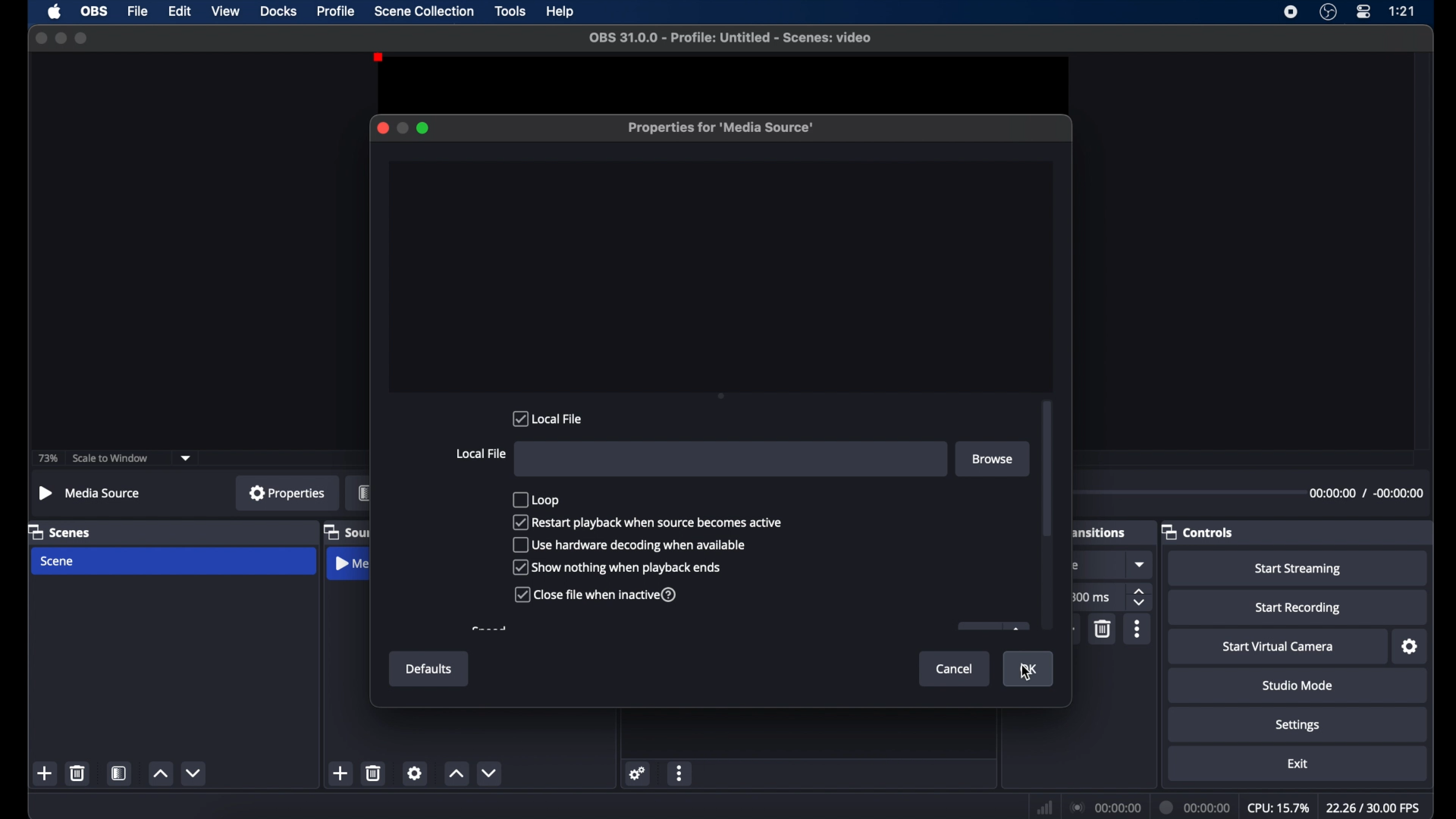 Image resolution: width=1456 pixels, height=819 pixels. Describe the element at coordinates (278, 11) in the screenshot. I see `docks` at that location.